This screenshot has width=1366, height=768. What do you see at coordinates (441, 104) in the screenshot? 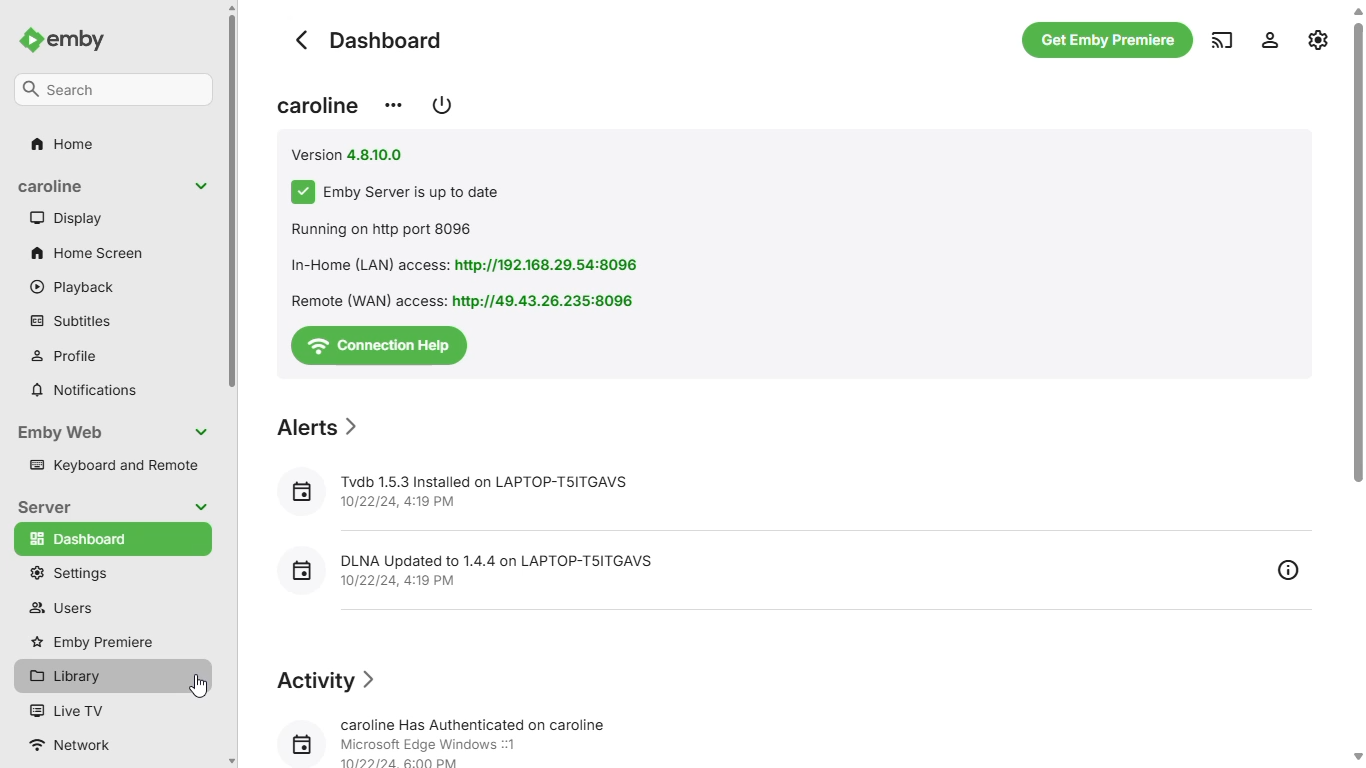
I see `restart/shutdown emby server` at bounding box center [441, 104].